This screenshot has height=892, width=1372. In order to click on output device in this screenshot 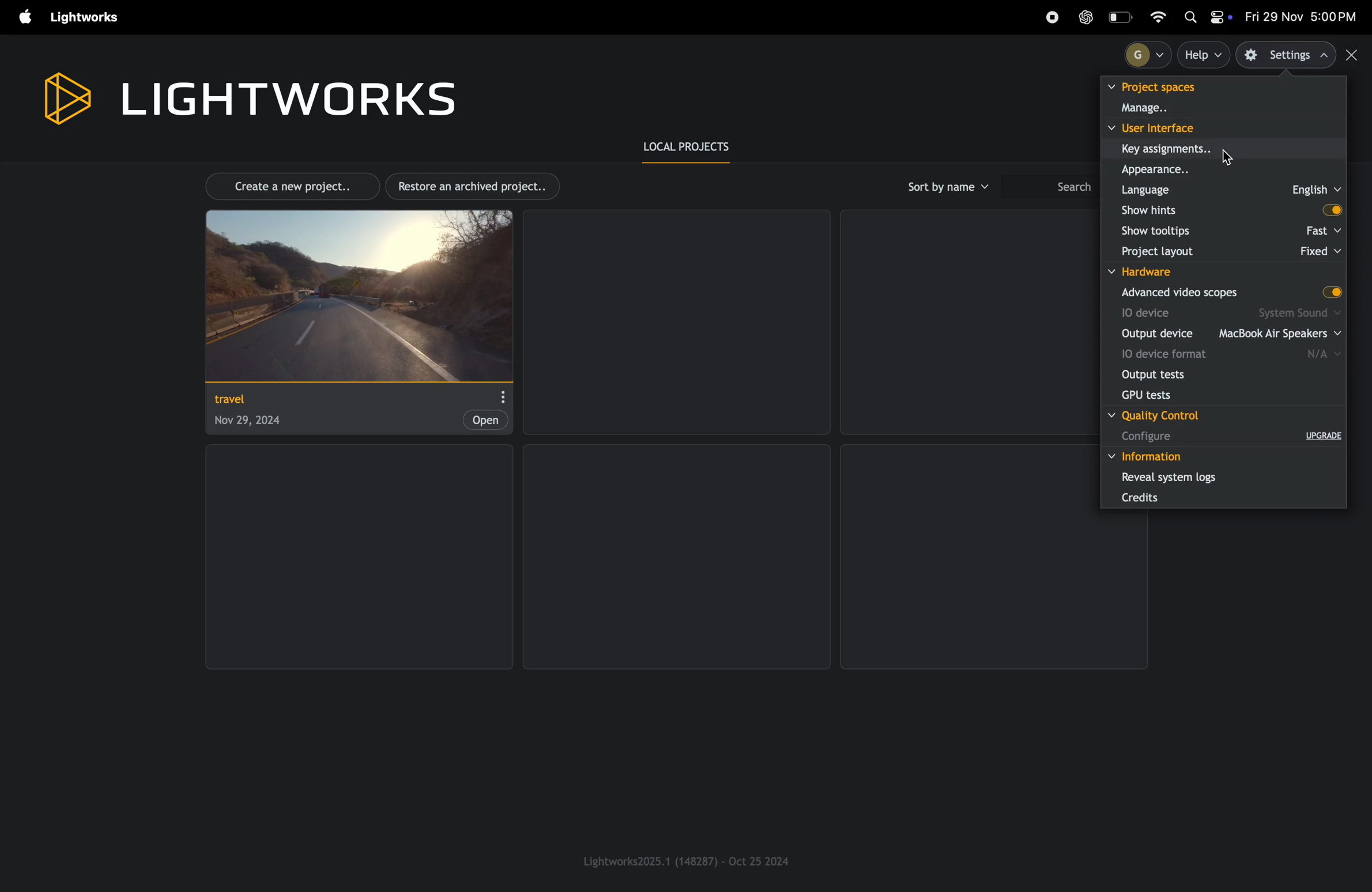, I will do `click(1227, 334)`.